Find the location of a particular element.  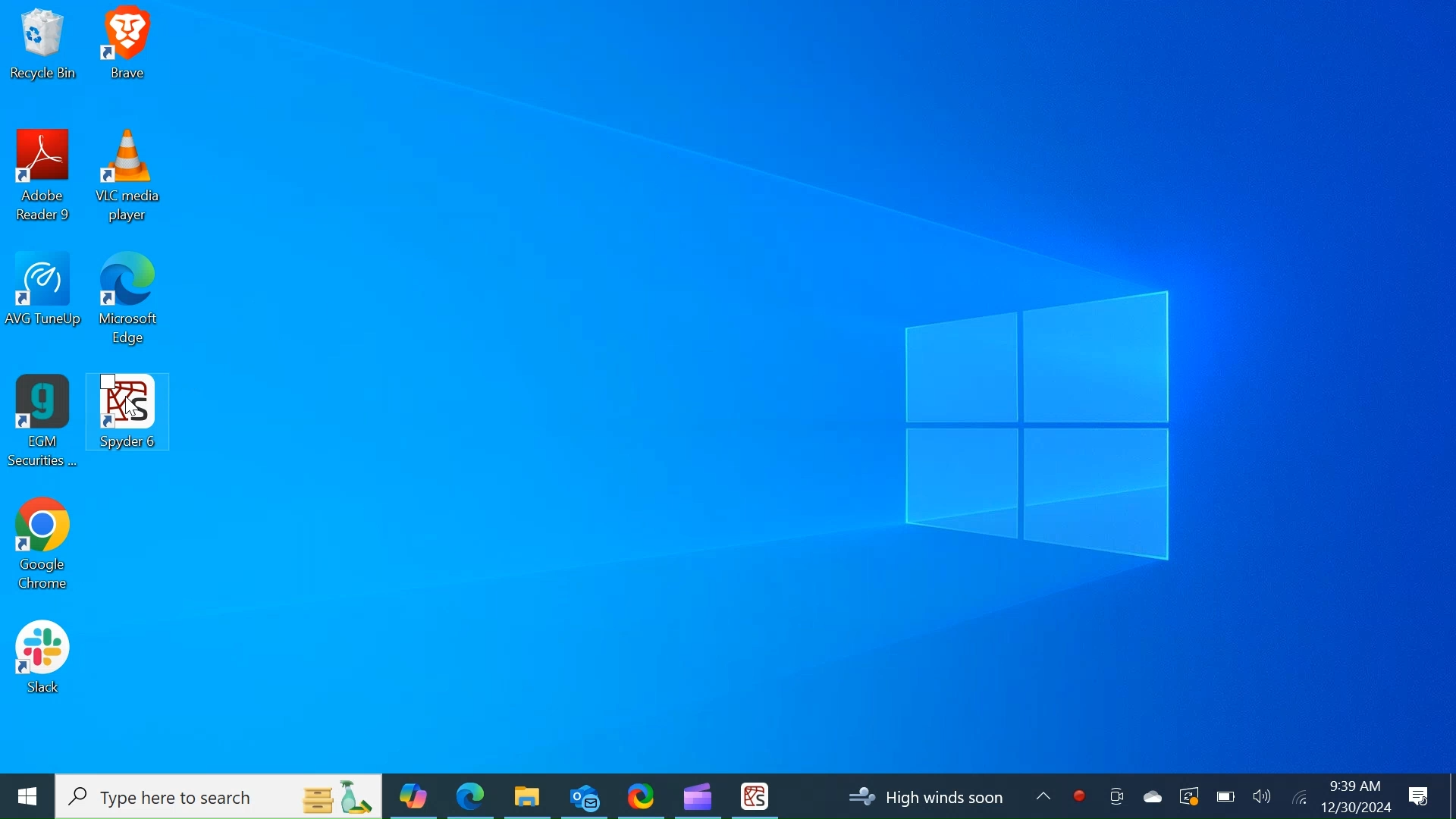

Spyder Desktop Icon is located at coordinates (133, 422).